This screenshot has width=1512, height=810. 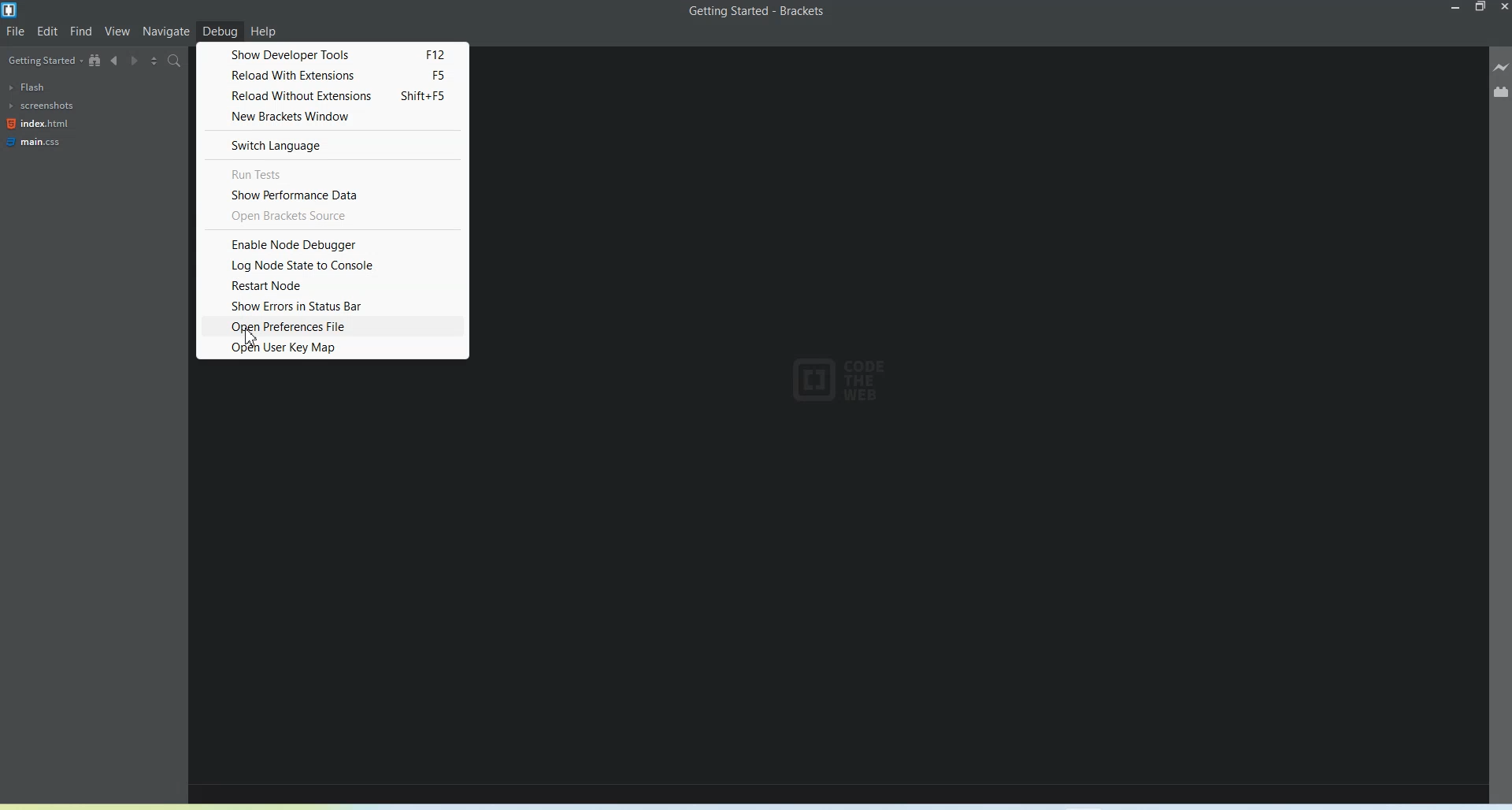 I want to click on New Bracket Window, so click(x=333, y=117).